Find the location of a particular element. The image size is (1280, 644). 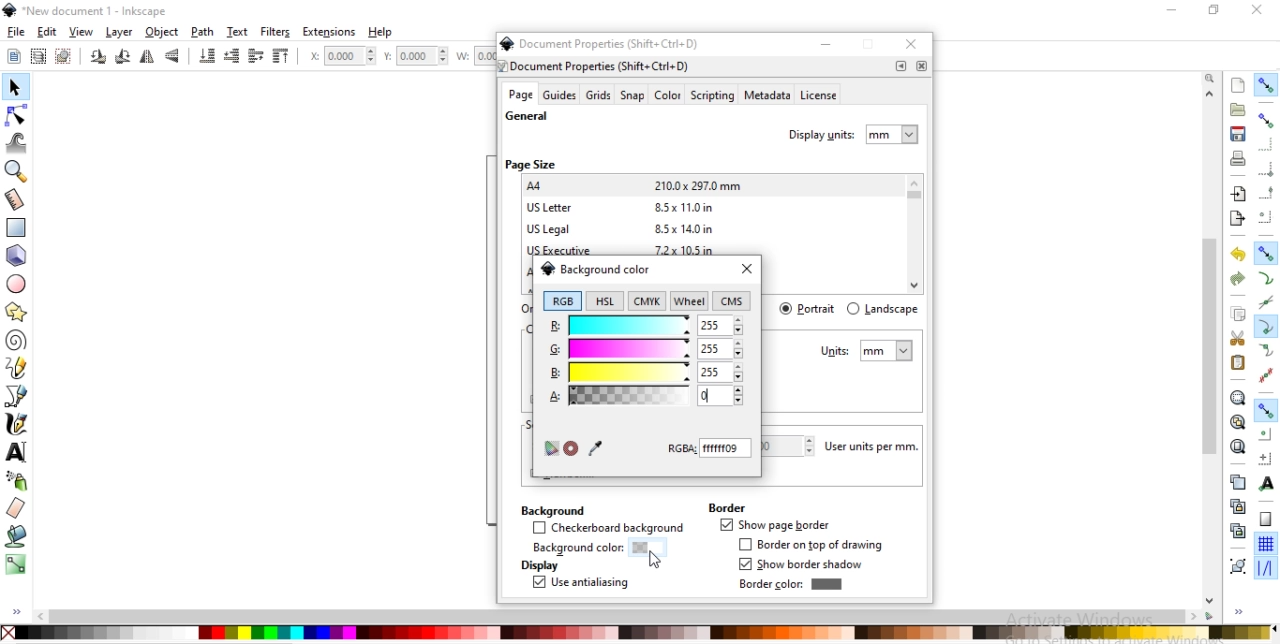

display is located at coordinates (538, 566).